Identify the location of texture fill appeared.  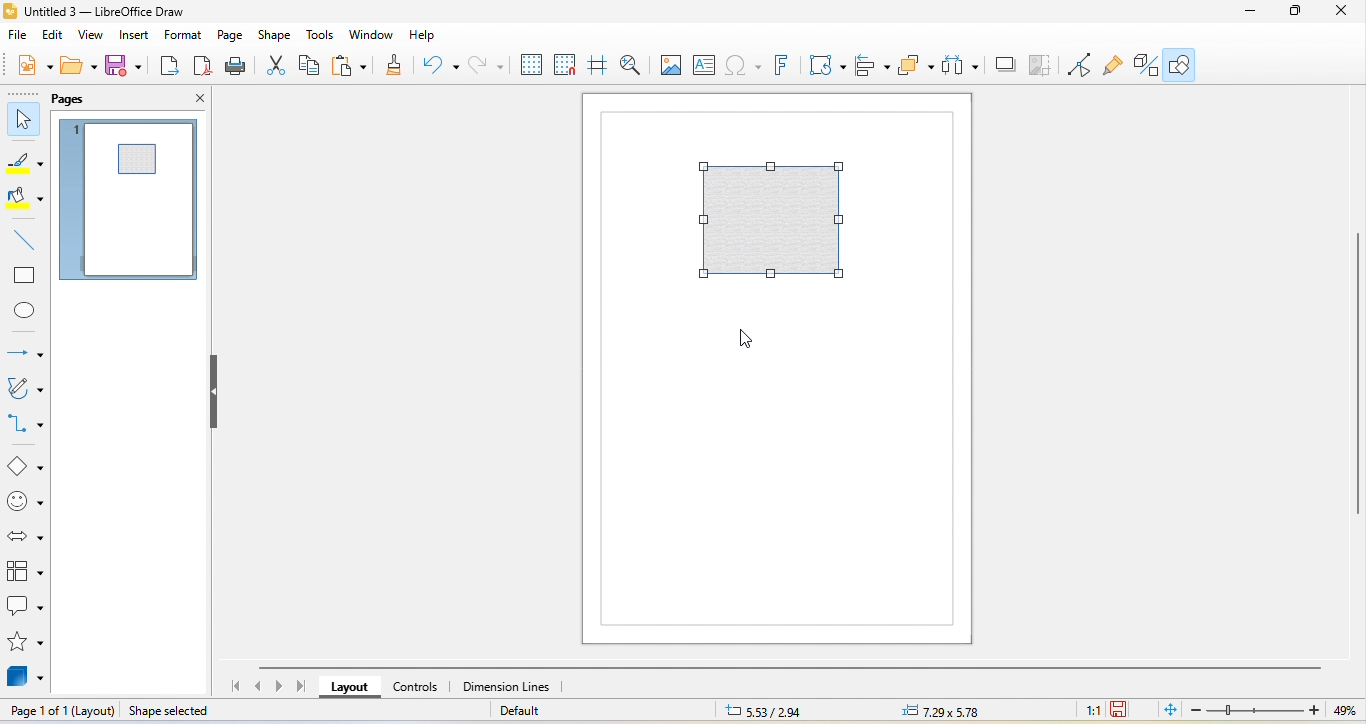
(137, 159).